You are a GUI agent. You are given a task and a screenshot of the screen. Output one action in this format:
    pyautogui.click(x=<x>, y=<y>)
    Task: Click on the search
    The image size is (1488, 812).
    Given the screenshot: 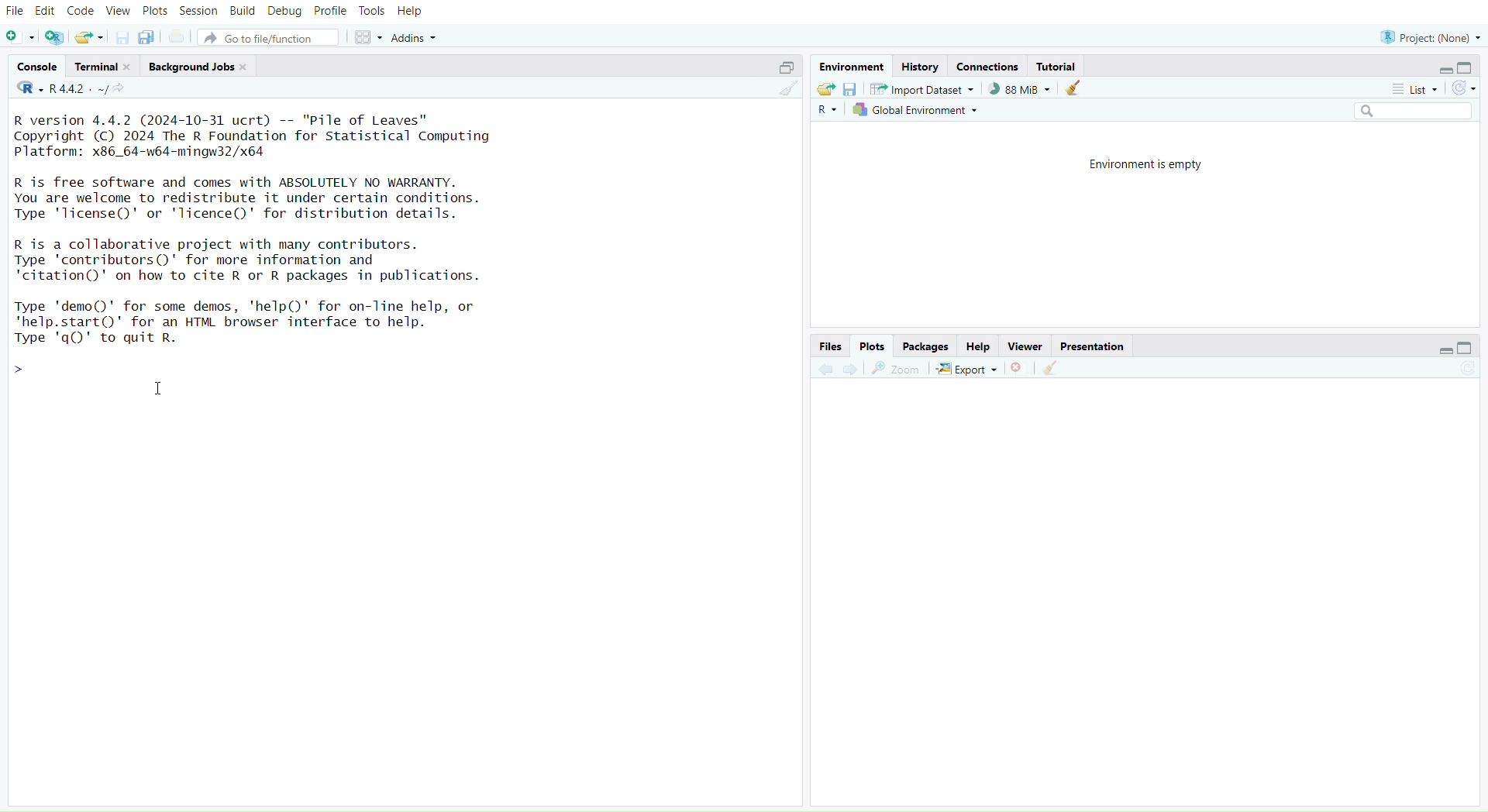 What is the action you would take?
    pyautogui.click(x=1407, y=111)
    